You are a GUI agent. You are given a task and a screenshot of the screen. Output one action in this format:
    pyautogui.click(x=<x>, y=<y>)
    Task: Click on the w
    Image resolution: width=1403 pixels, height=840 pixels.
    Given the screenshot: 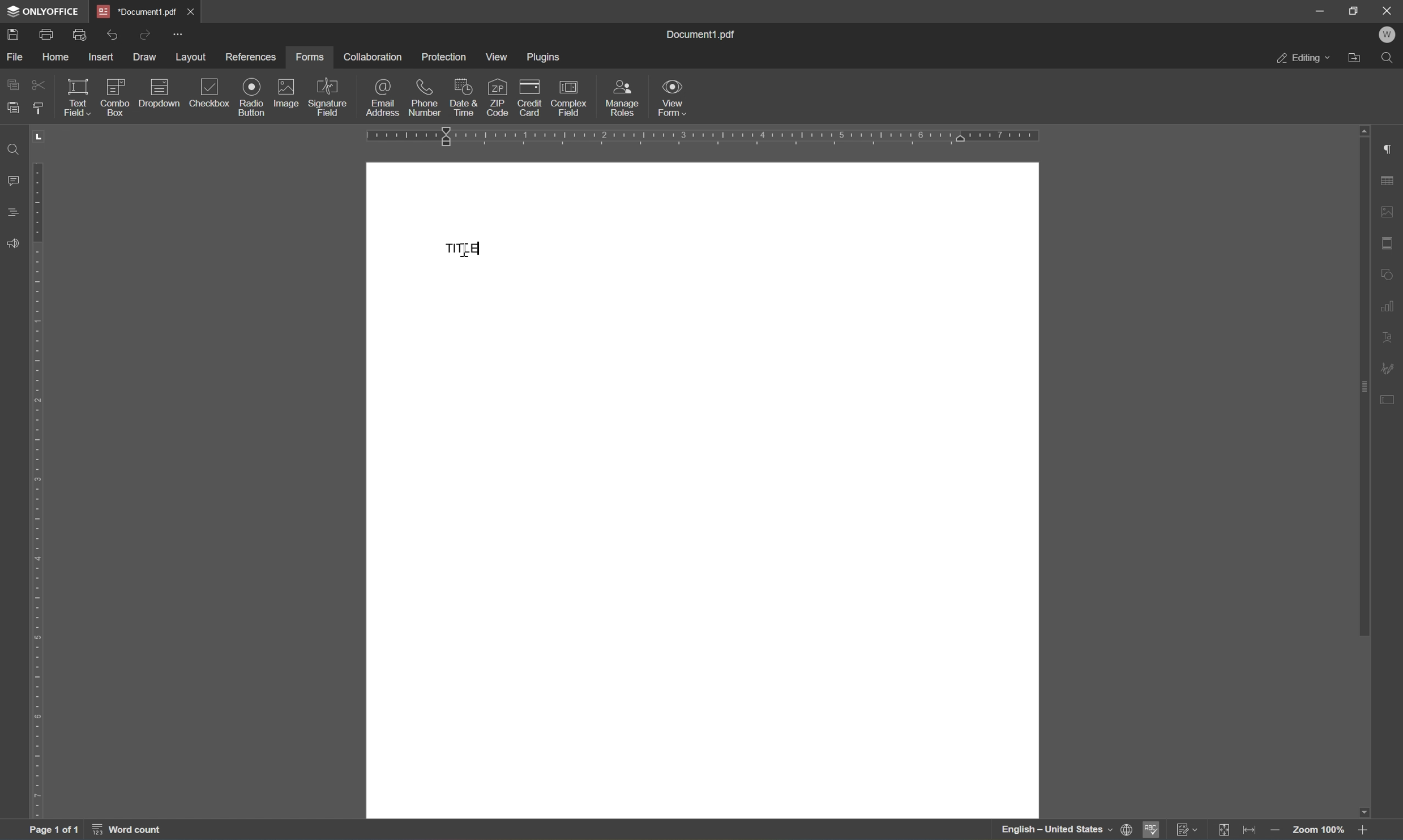 What is the action you would take?
    pyautogui.click(x=1388, y=33)
    